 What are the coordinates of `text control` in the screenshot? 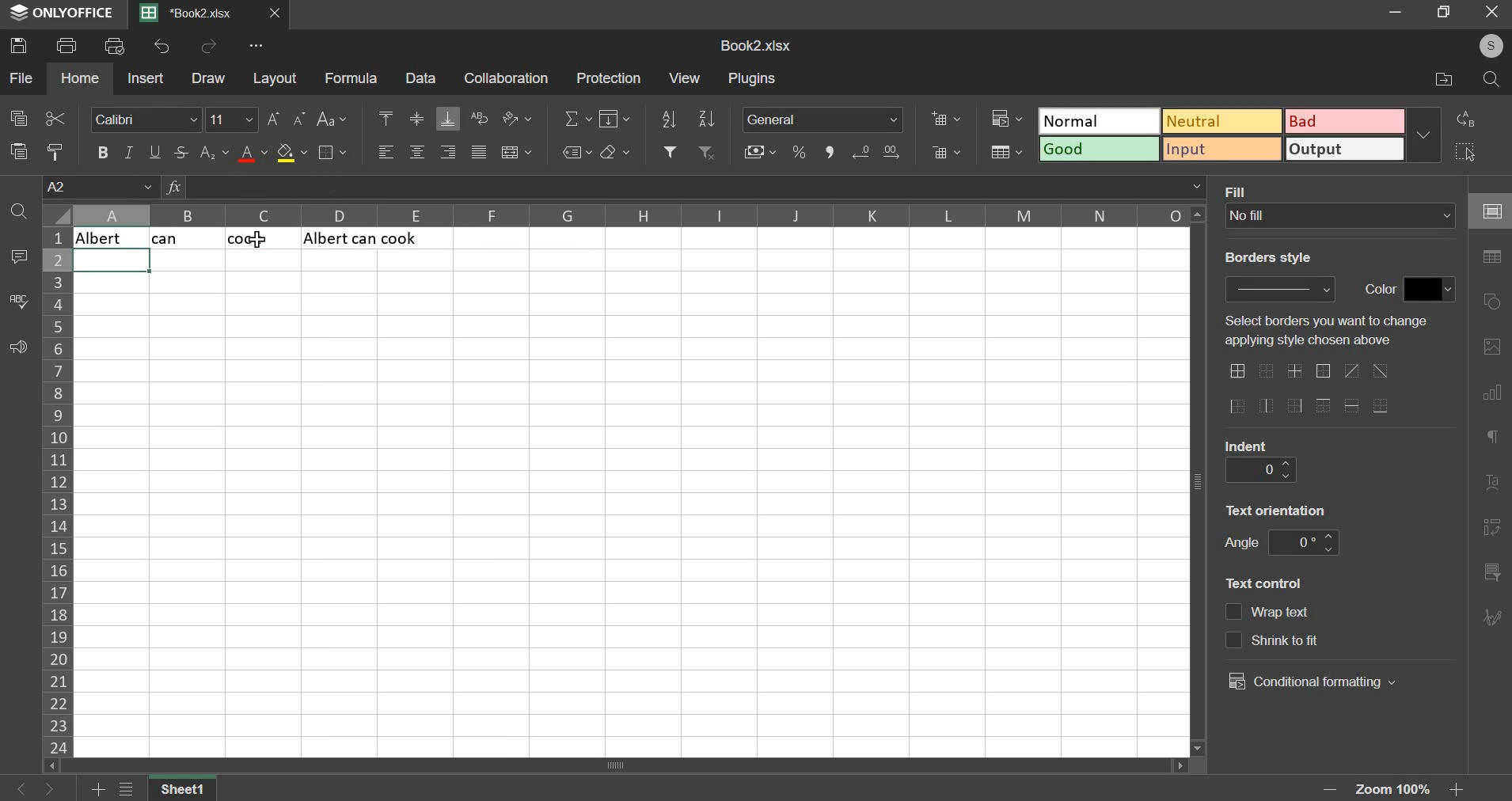 It's located at (1233, 626).